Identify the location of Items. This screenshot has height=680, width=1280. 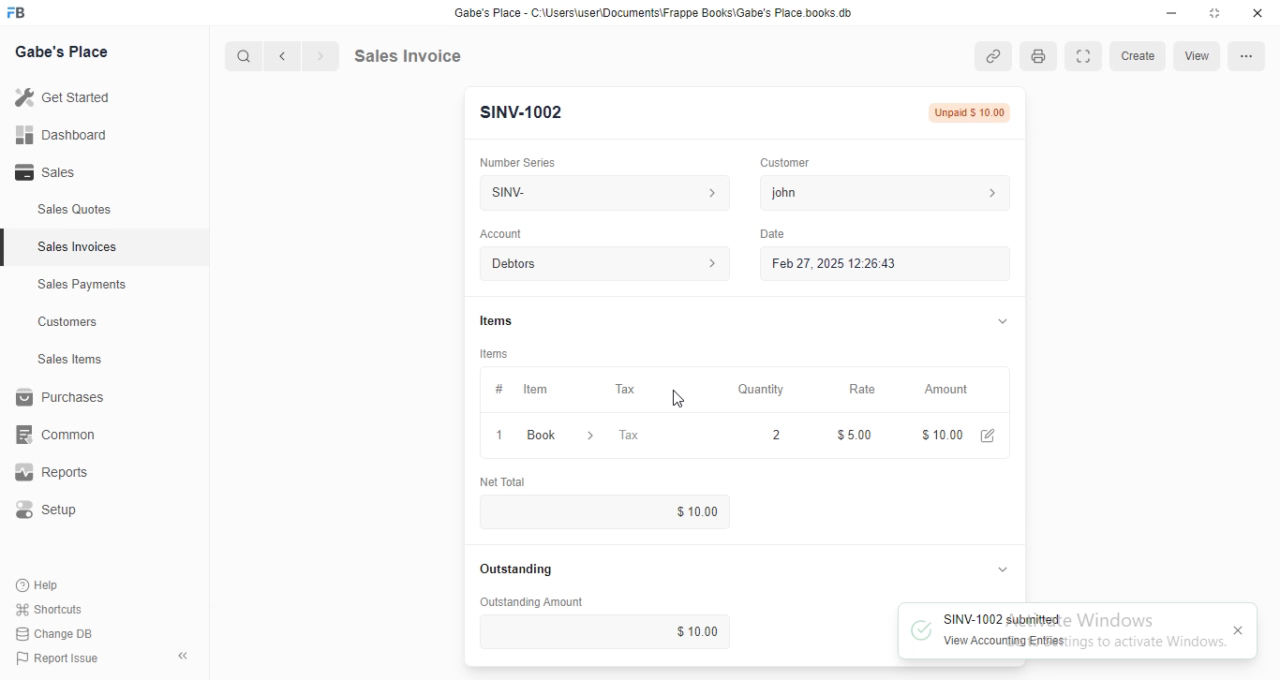
(496, 352).